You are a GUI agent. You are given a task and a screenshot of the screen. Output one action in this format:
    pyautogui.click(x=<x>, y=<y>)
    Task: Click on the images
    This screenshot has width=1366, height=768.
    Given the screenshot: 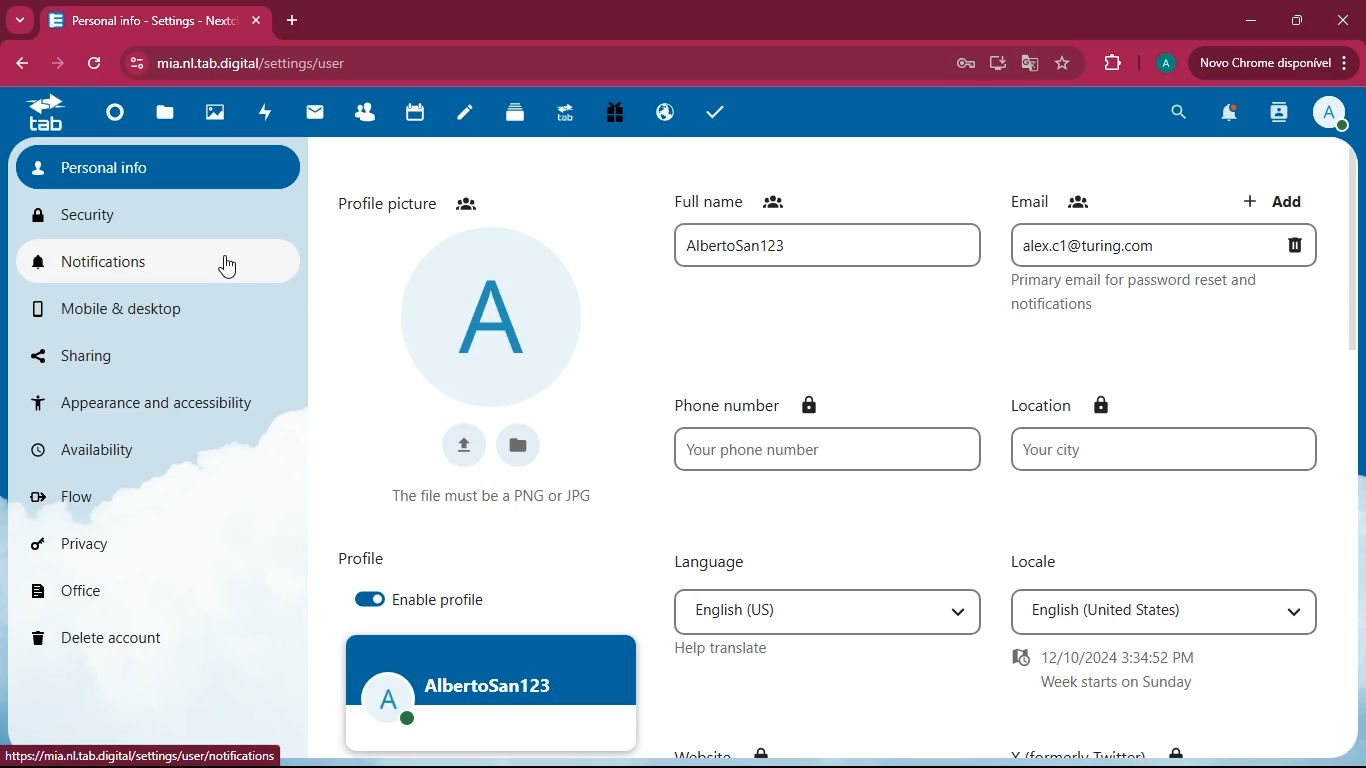 What is the action you would take?
    pyautogui.click(x=212, y=114)
    